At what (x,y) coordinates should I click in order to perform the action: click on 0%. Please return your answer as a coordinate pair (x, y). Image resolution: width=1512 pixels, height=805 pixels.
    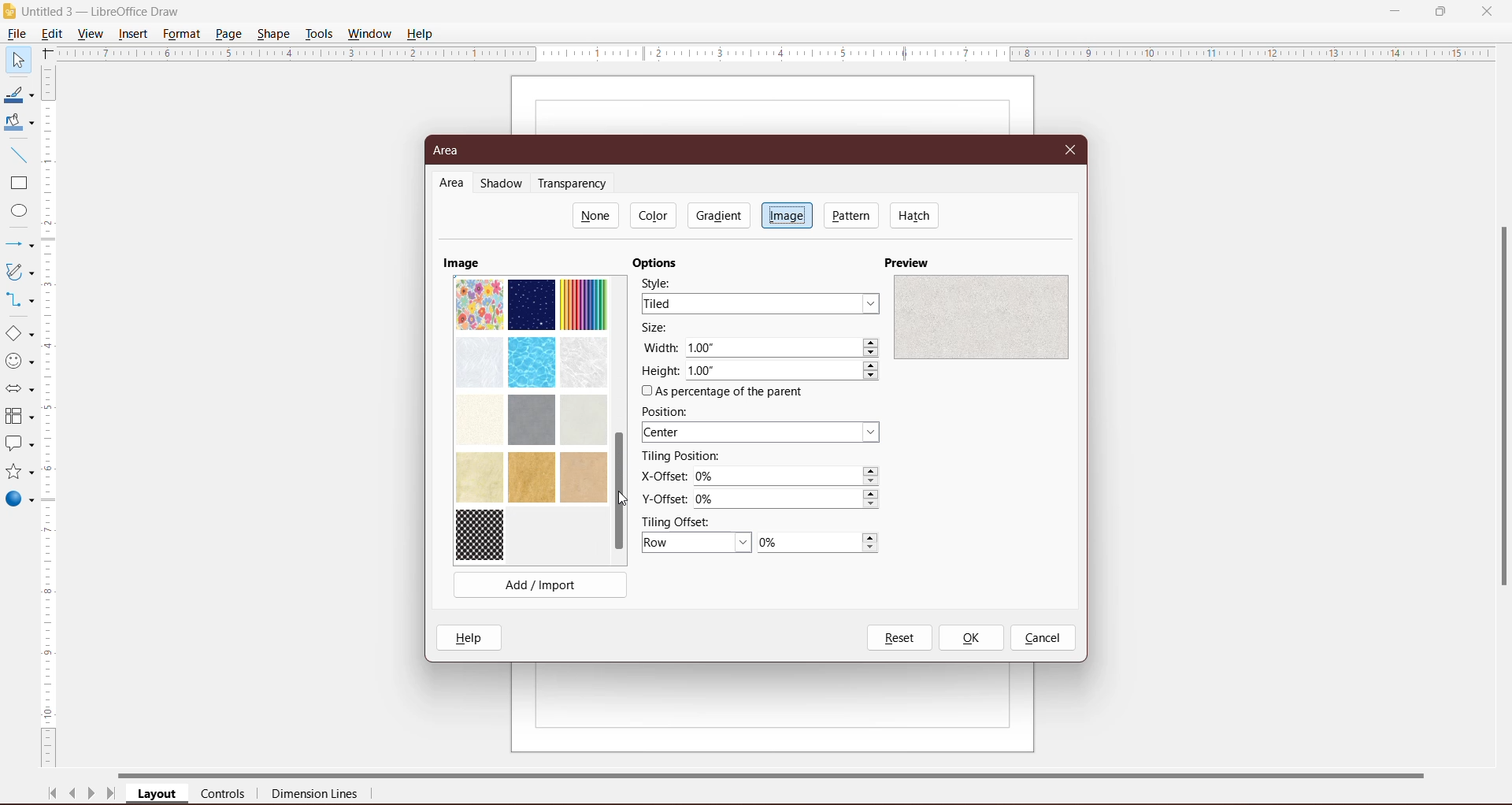
    Looking at the image, I should click on (817, 543).